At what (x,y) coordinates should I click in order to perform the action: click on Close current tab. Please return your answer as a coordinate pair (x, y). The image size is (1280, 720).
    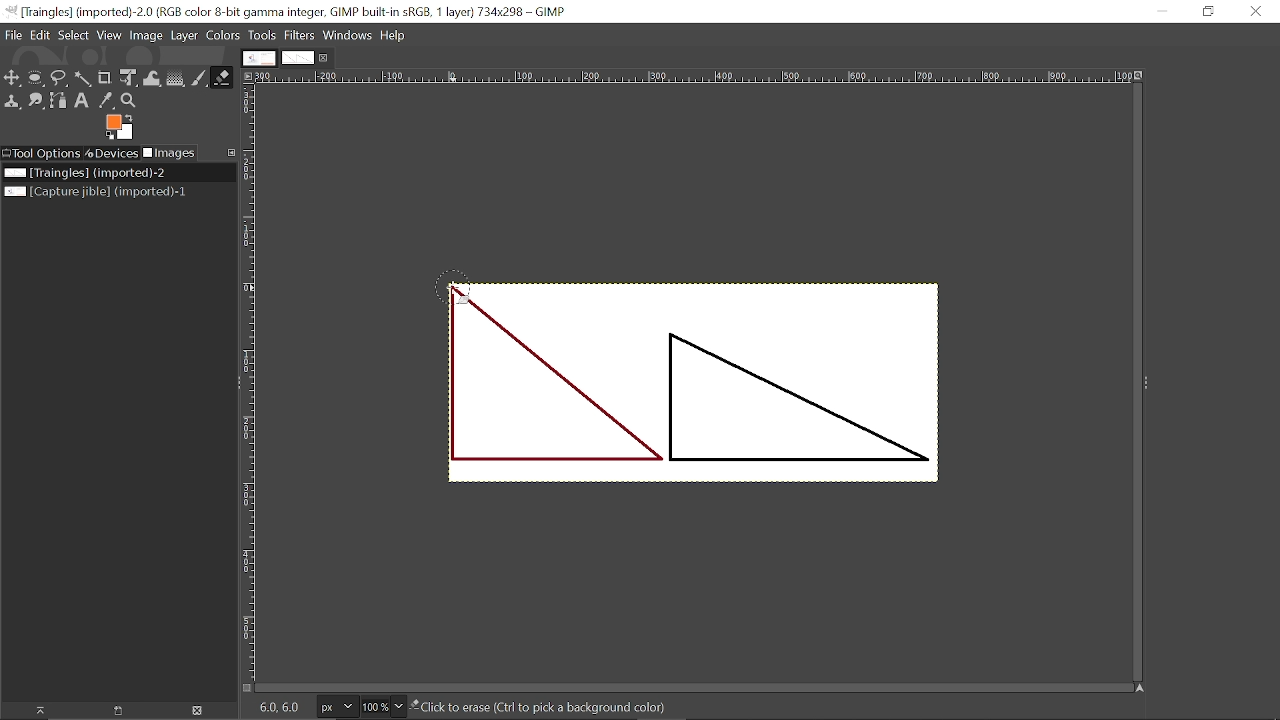
    Looking at the image, I should click on (325, 58).